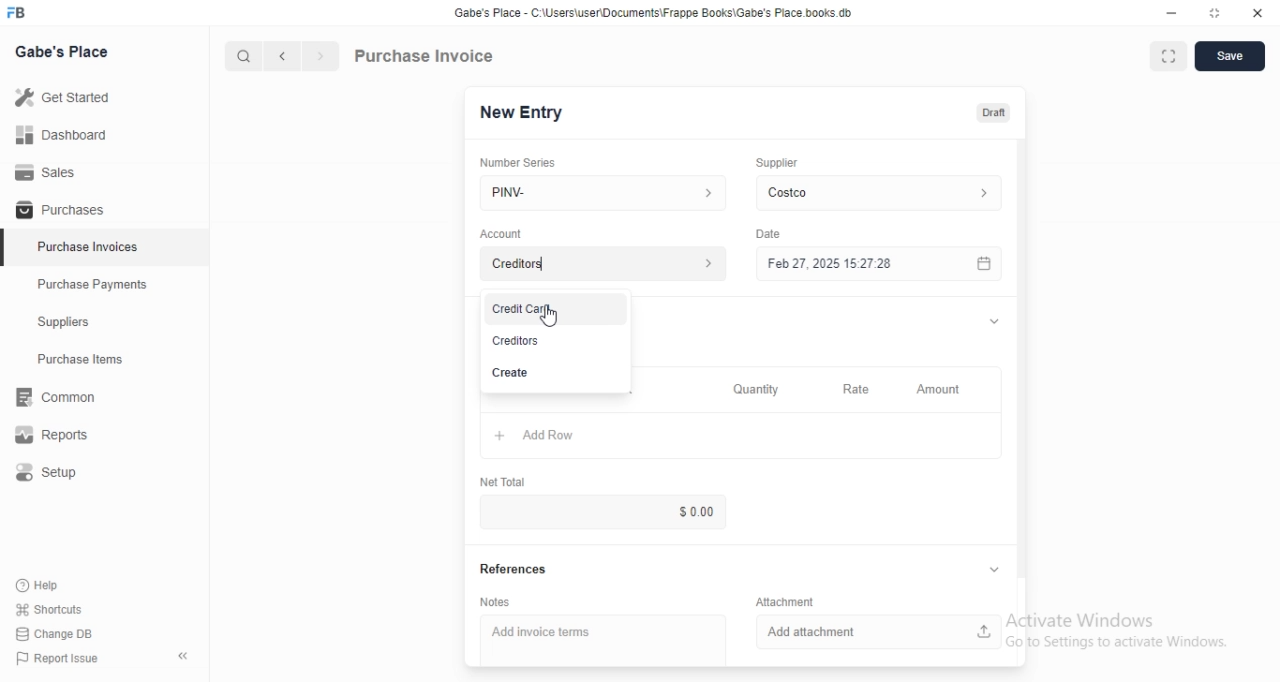 This screenshot has height=682, width=1280. What do you see at coordinates (522, 113) in the screenshot?
I see `New Entry` at bounding box center [522, 113].